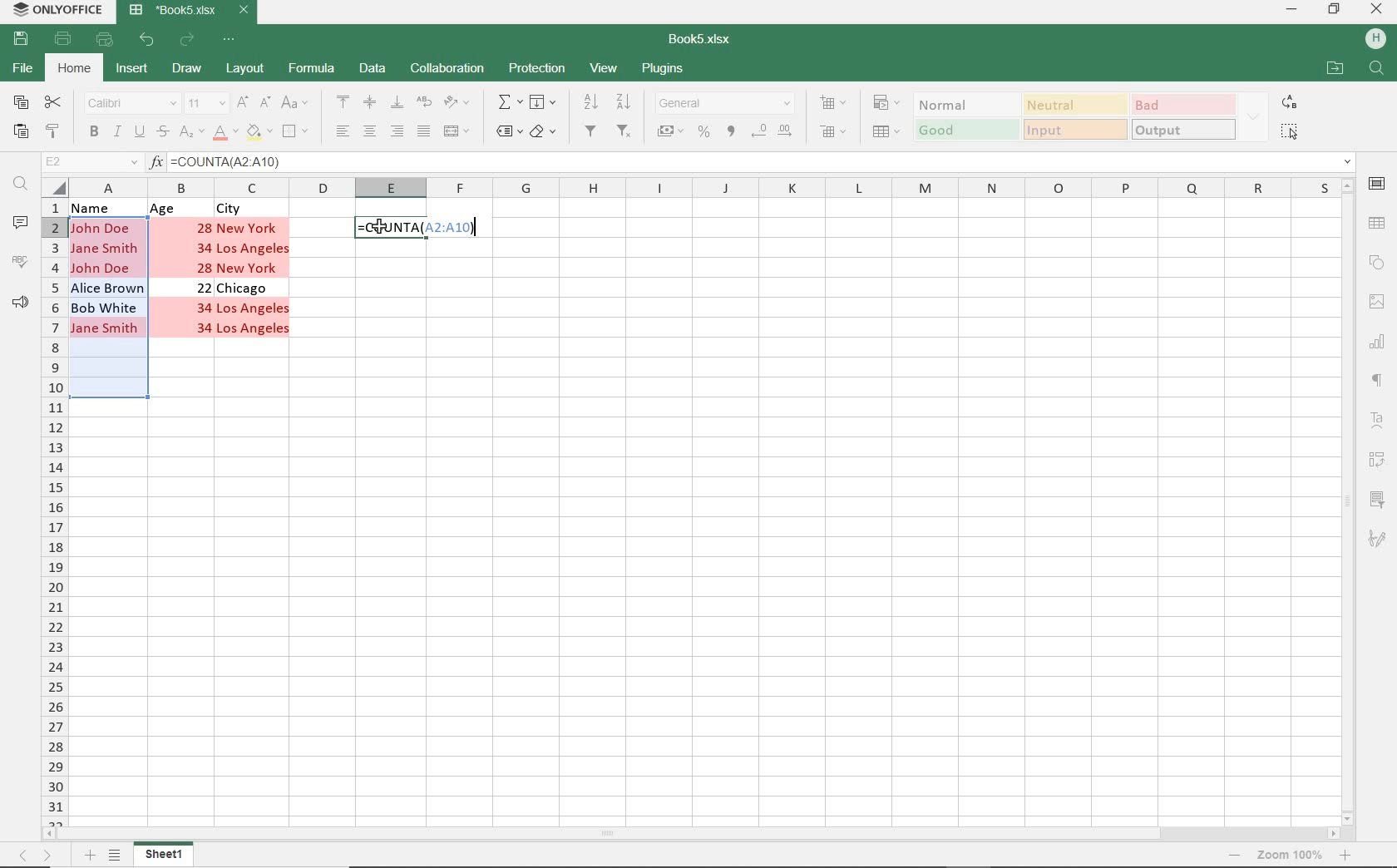 The height and width of the screenshot is (868, 1397). What do you see at coordinates (670, 132) in the screenshot?
I see `ACCOUNT STYLE` at bounding box center [670, 132].